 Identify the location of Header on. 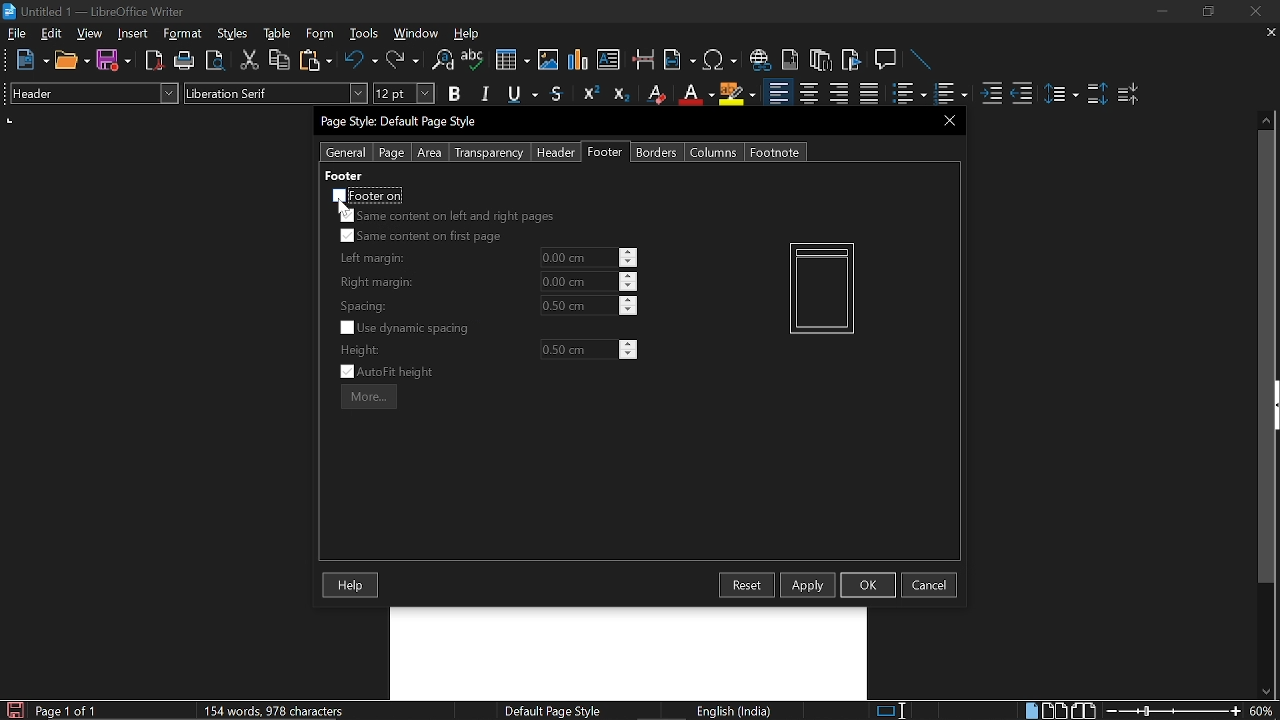
(368, 195).